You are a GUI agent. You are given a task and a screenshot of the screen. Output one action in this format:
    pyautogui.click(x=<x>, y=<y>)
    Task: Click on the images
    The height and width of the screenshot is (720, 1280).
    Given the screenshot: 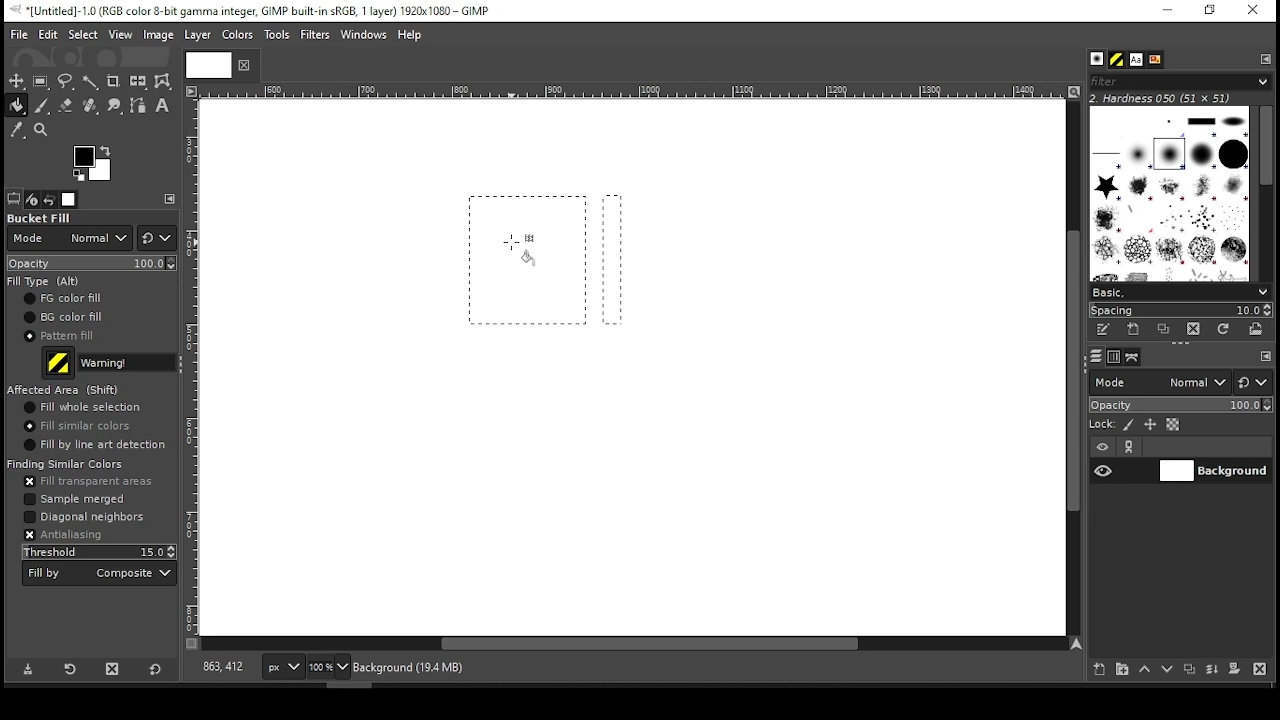 What is the action you would take?
    pyautogui.click(x=70, y=200)
    